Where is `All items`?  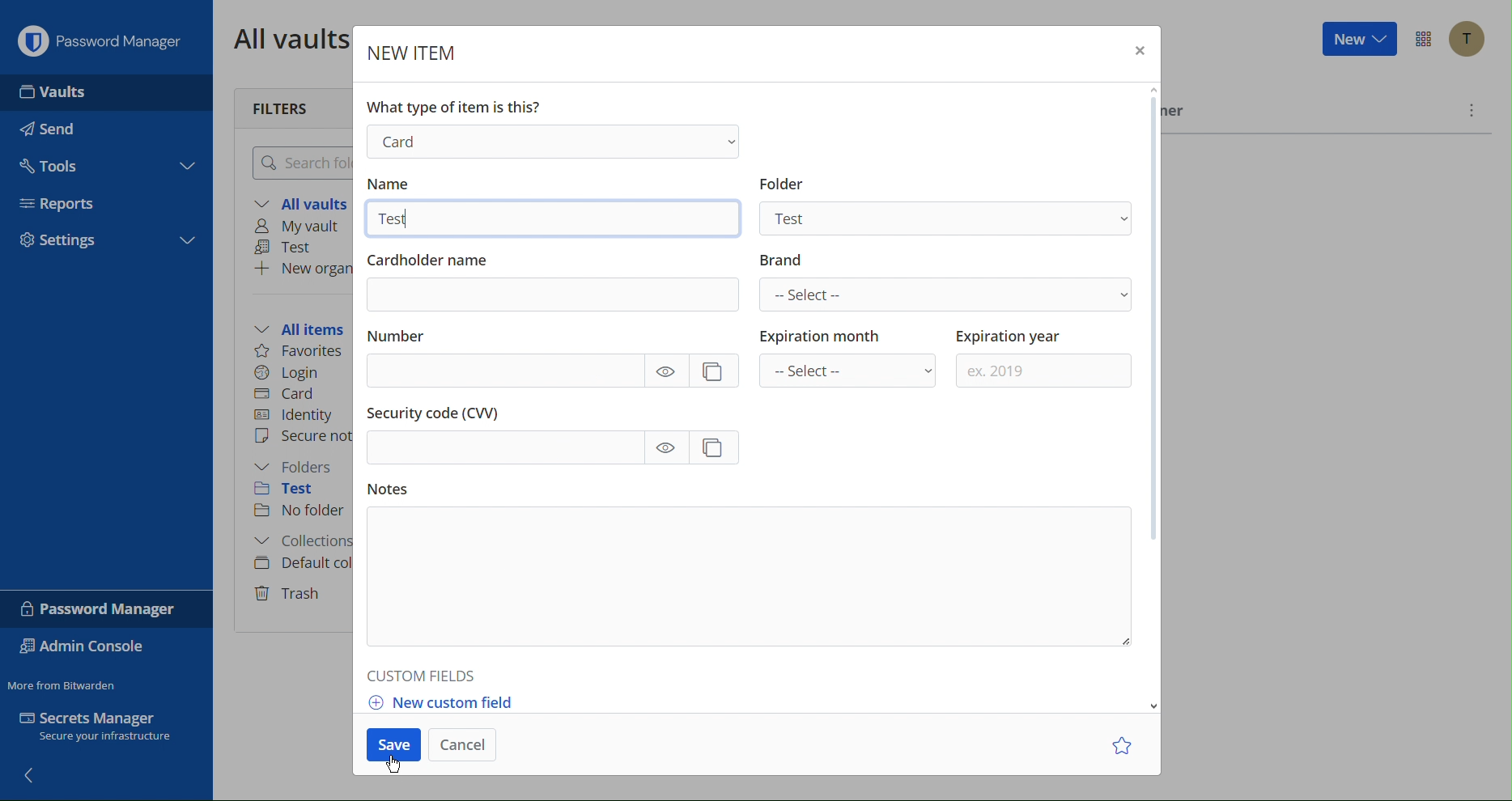
All items is located at coordinates (299, 328).